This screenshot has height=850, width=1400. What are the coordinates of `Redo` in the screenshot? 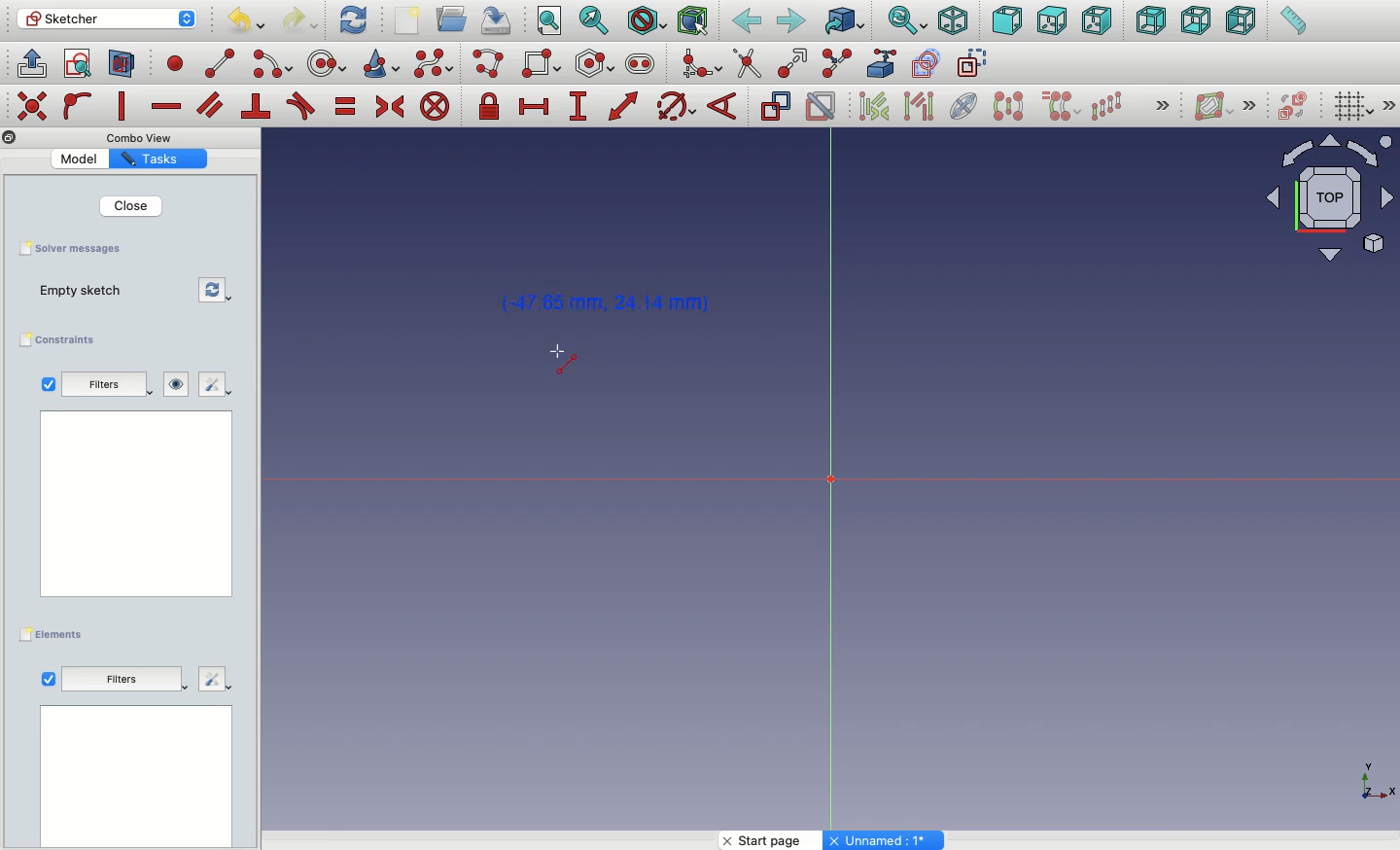 It's located at (301, 20).